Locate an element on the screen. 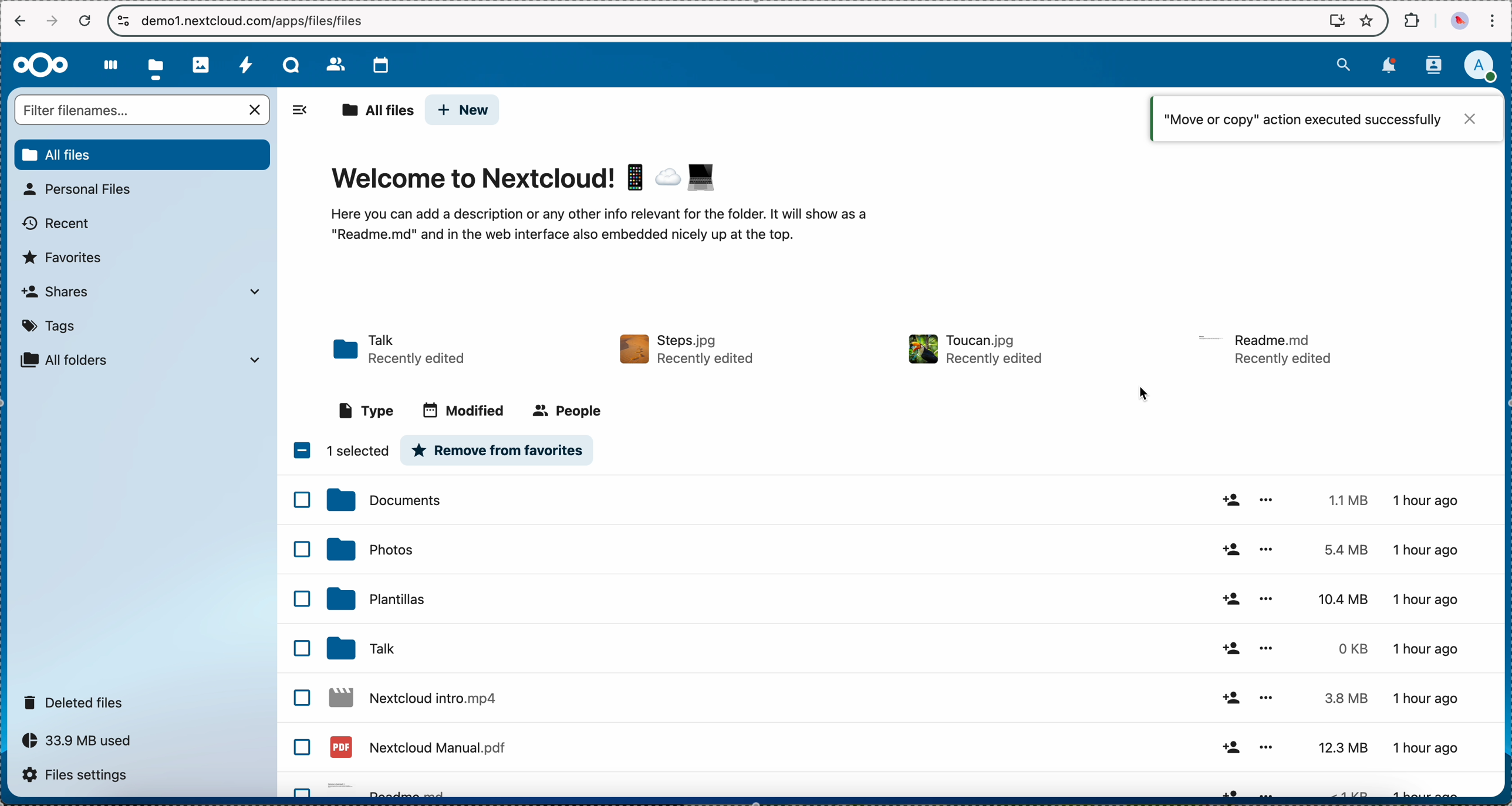  cursor is located at coordinates (1142, 397).